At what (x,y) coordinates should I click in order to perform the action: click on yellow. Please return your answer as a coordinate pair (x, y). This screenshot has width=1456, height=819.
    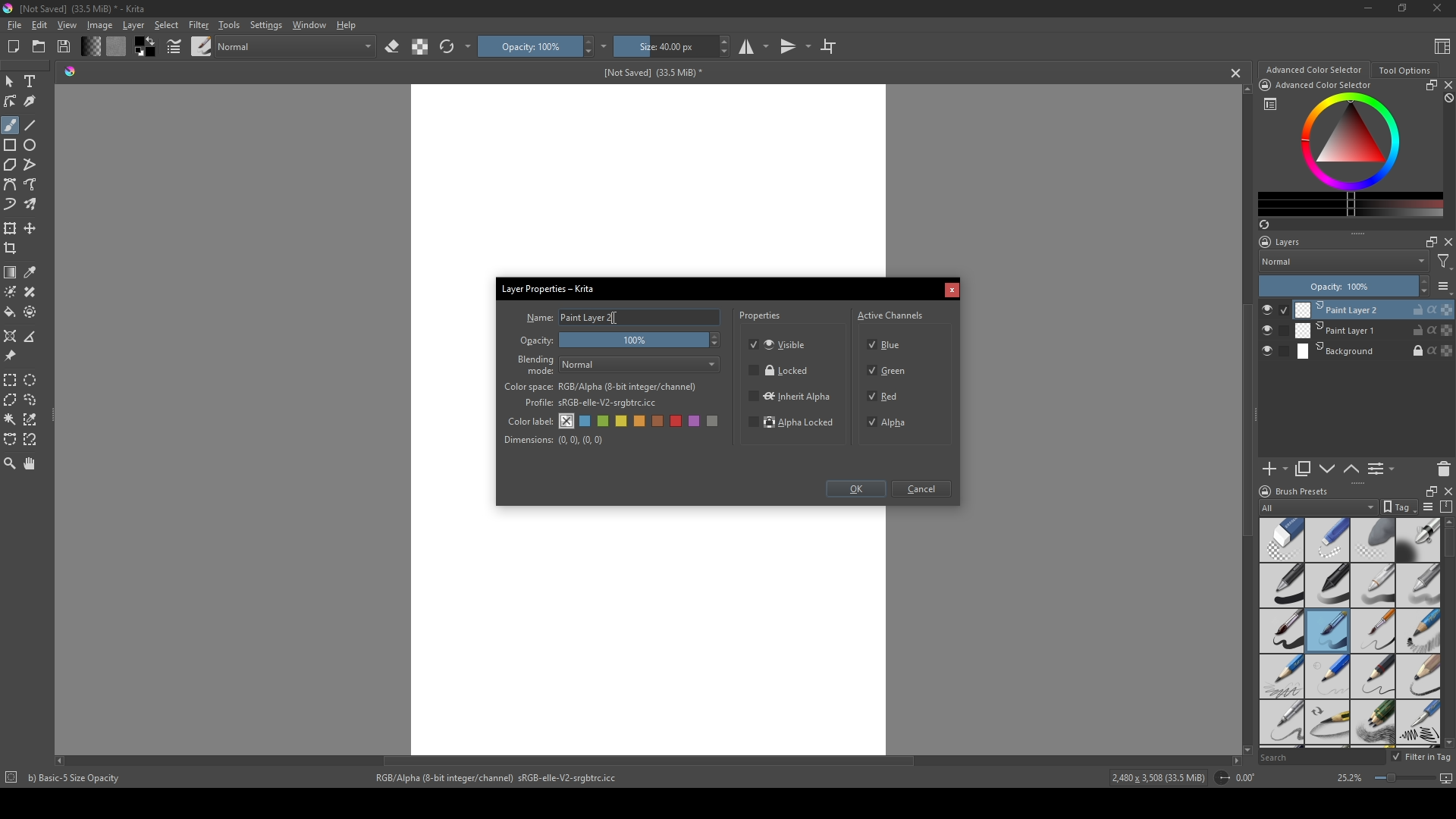
    Looking at the image, I should click on (641, 422).